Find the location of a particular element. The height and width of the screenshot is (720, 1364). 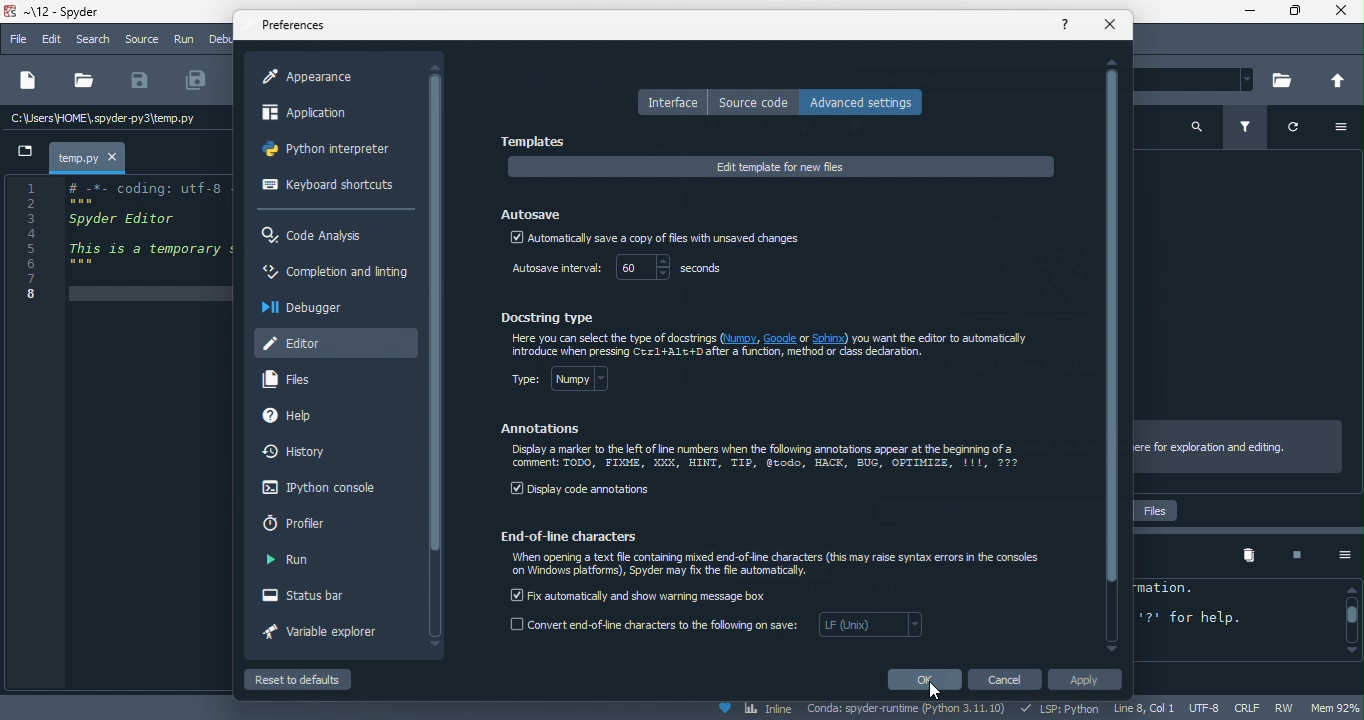

vertical scroll bar is located at coordinates (1350, 620).